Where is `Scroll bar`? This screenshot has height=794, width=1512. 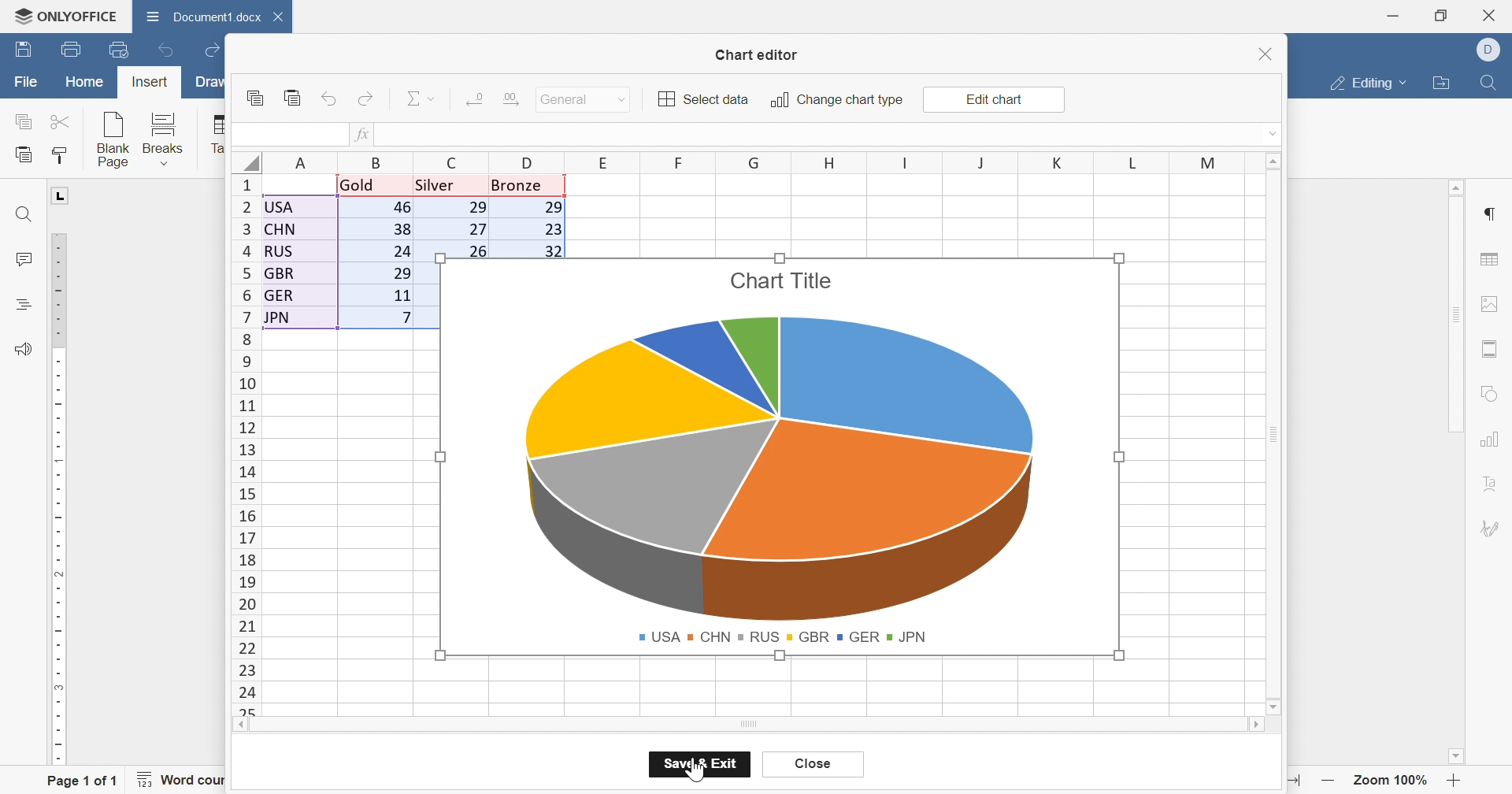
Scroll bar is located at coordinates (748, 726).